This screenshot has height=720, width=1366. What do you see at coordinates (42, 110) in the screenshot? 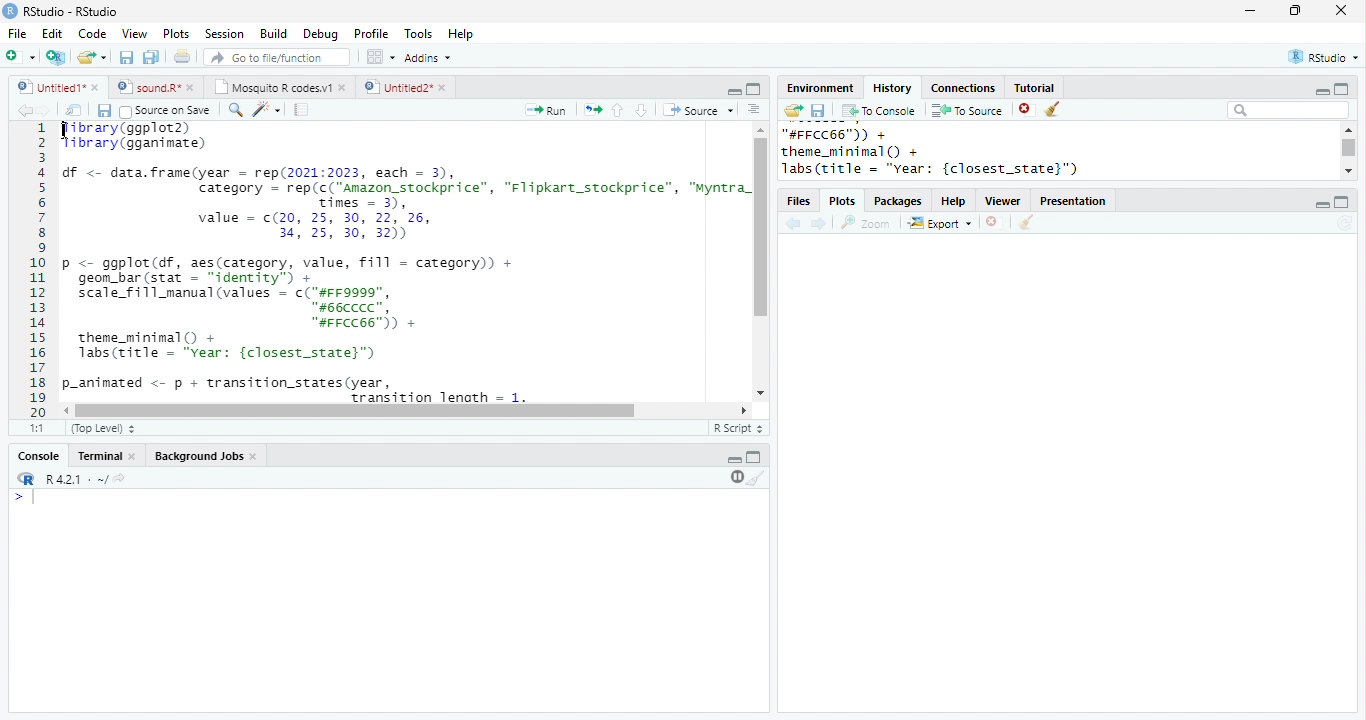
I see `forward` at bounding box center [42, 110].